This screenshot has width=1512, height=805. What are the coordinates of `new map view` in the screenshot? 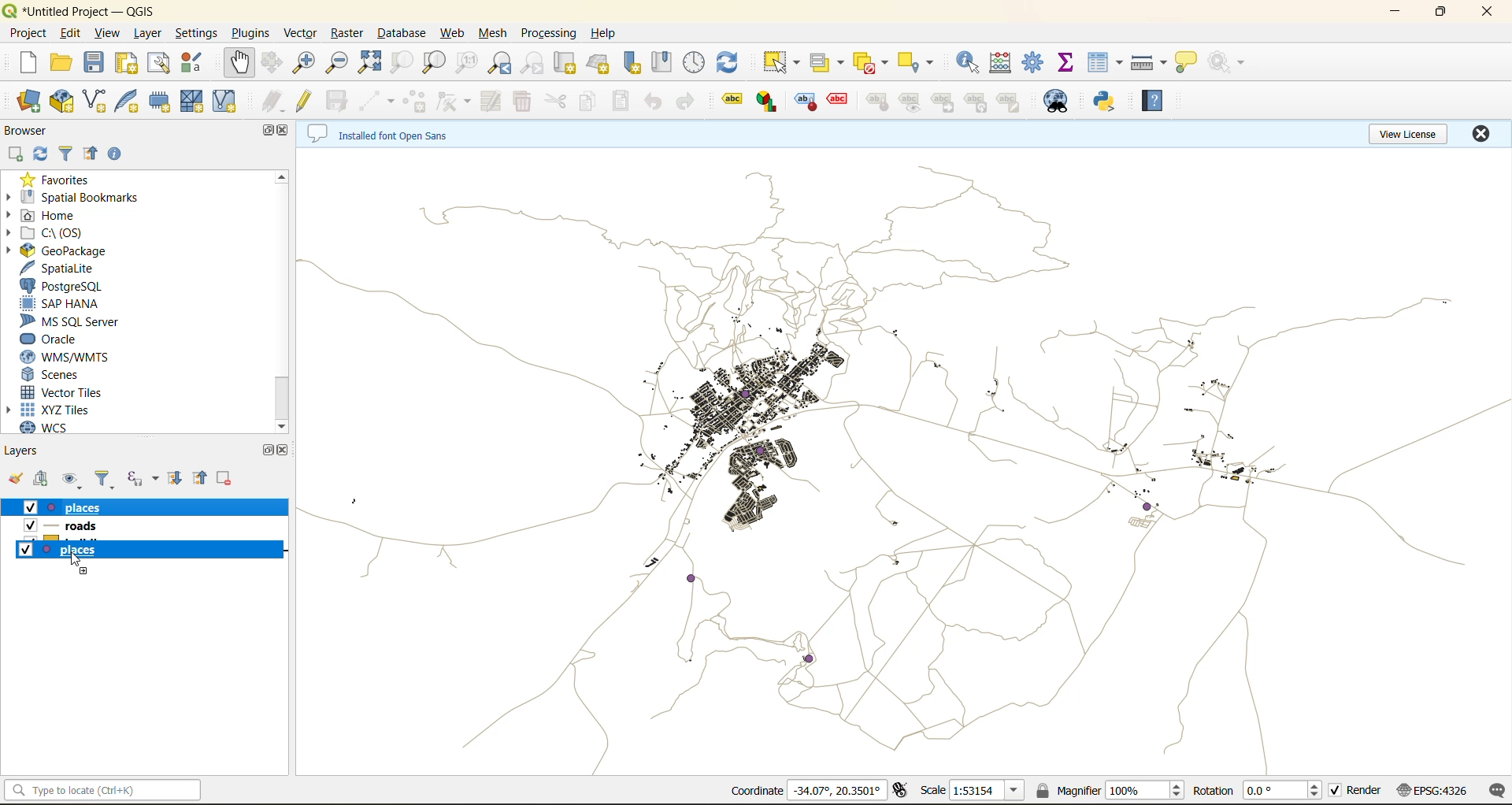 It's located at (566, 63).